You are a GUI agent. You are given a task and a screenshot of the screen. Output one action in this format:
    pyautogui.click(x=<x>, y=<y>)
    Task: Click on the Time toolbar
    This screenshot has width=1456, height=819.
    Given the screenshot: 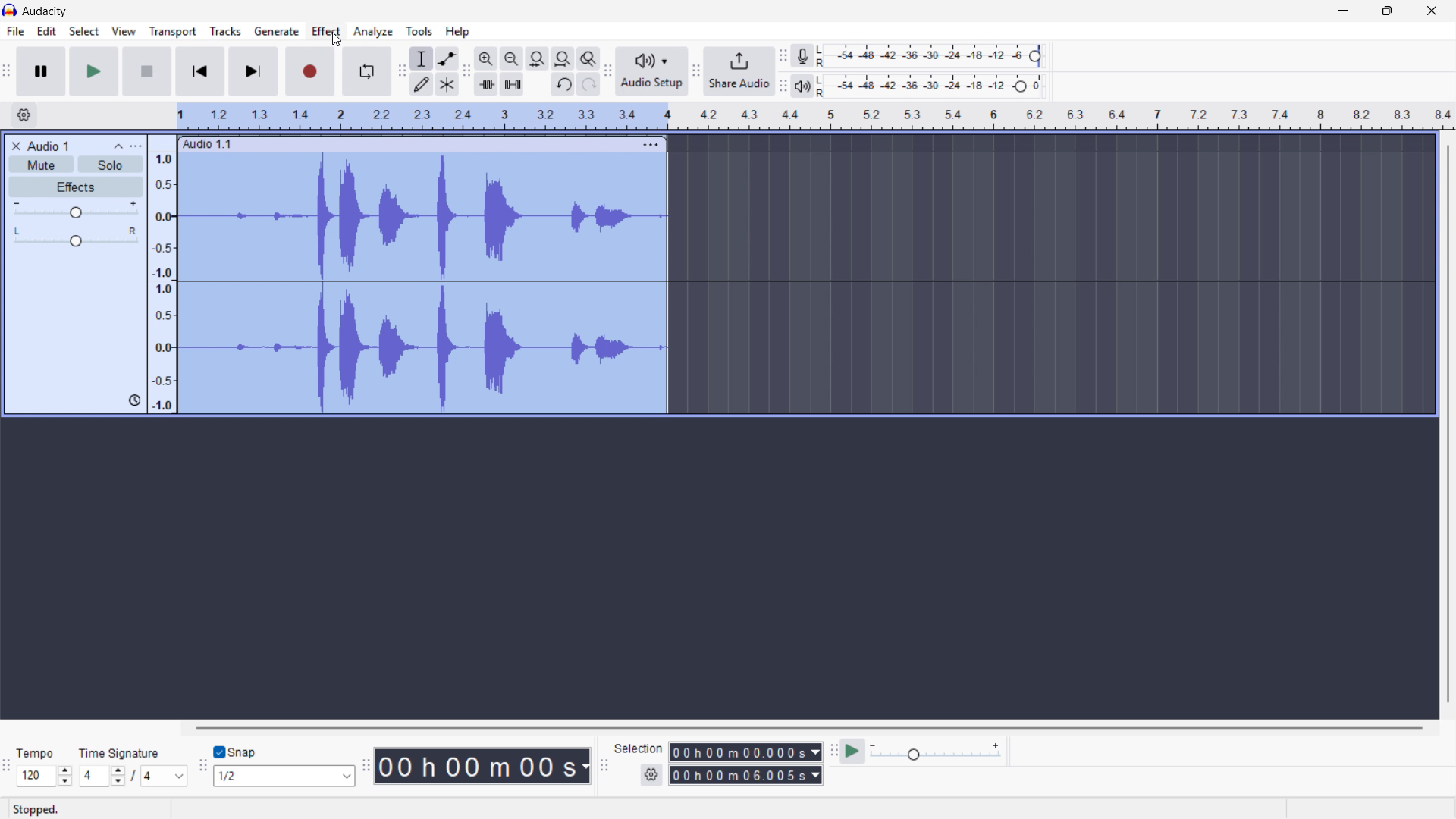 What is the action you would take?
    pyautogui.click(x=365, y=767)
    